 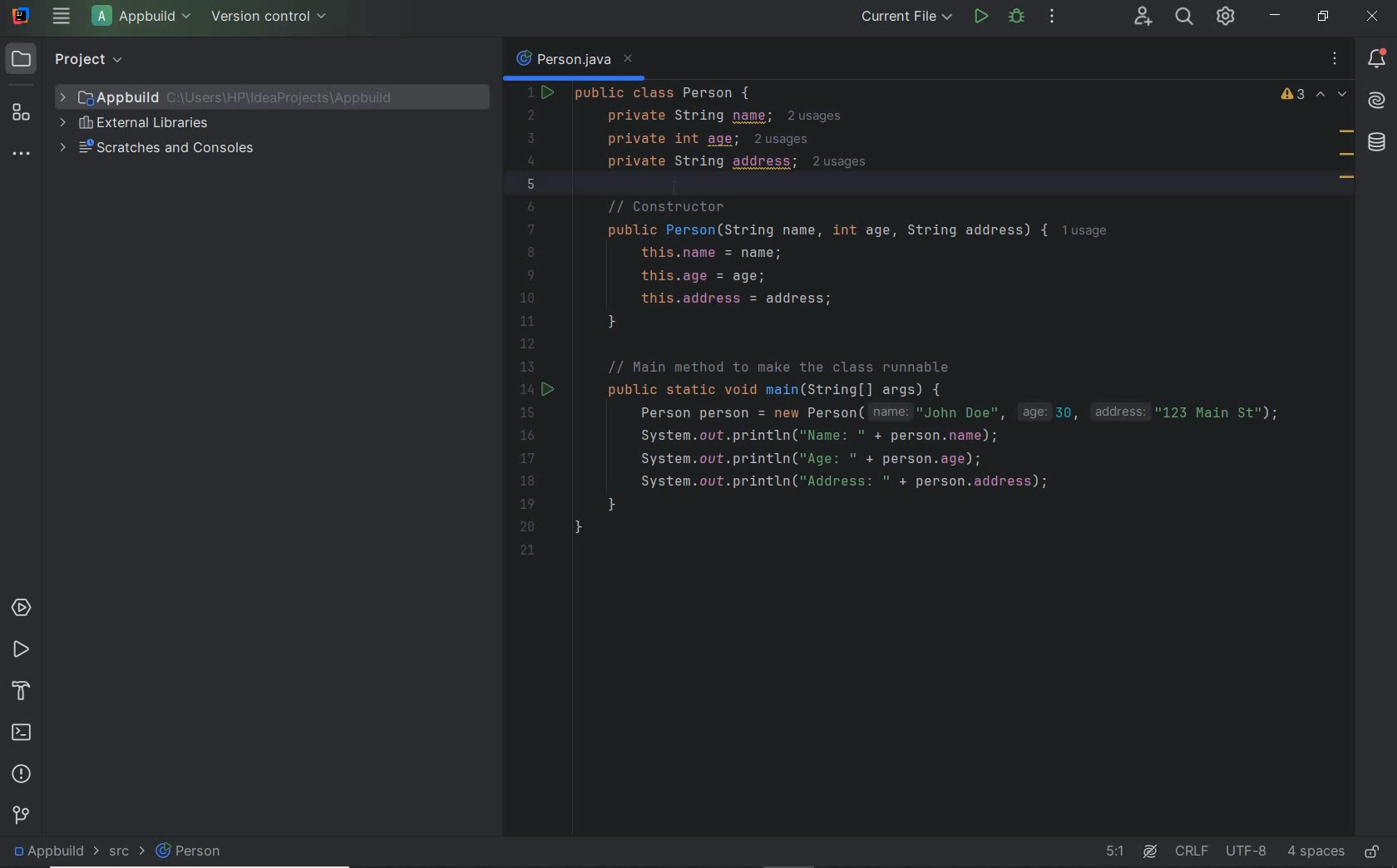 What do you see at coordinates (895, 126) in the screenshot?
I see `codes` at bounding box center [895, 126].